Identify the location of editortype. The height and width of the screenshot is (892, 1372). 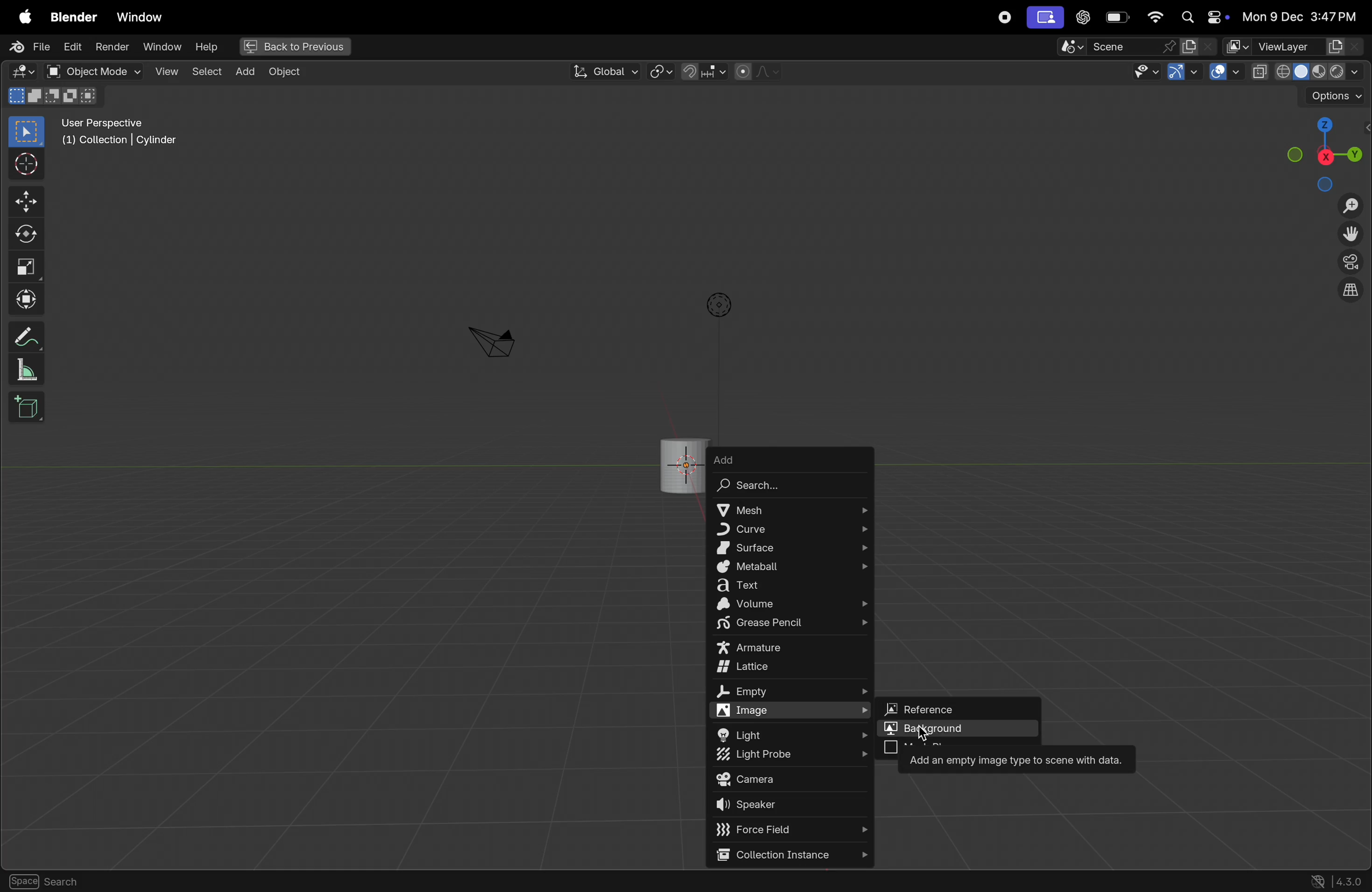
(26, 72).